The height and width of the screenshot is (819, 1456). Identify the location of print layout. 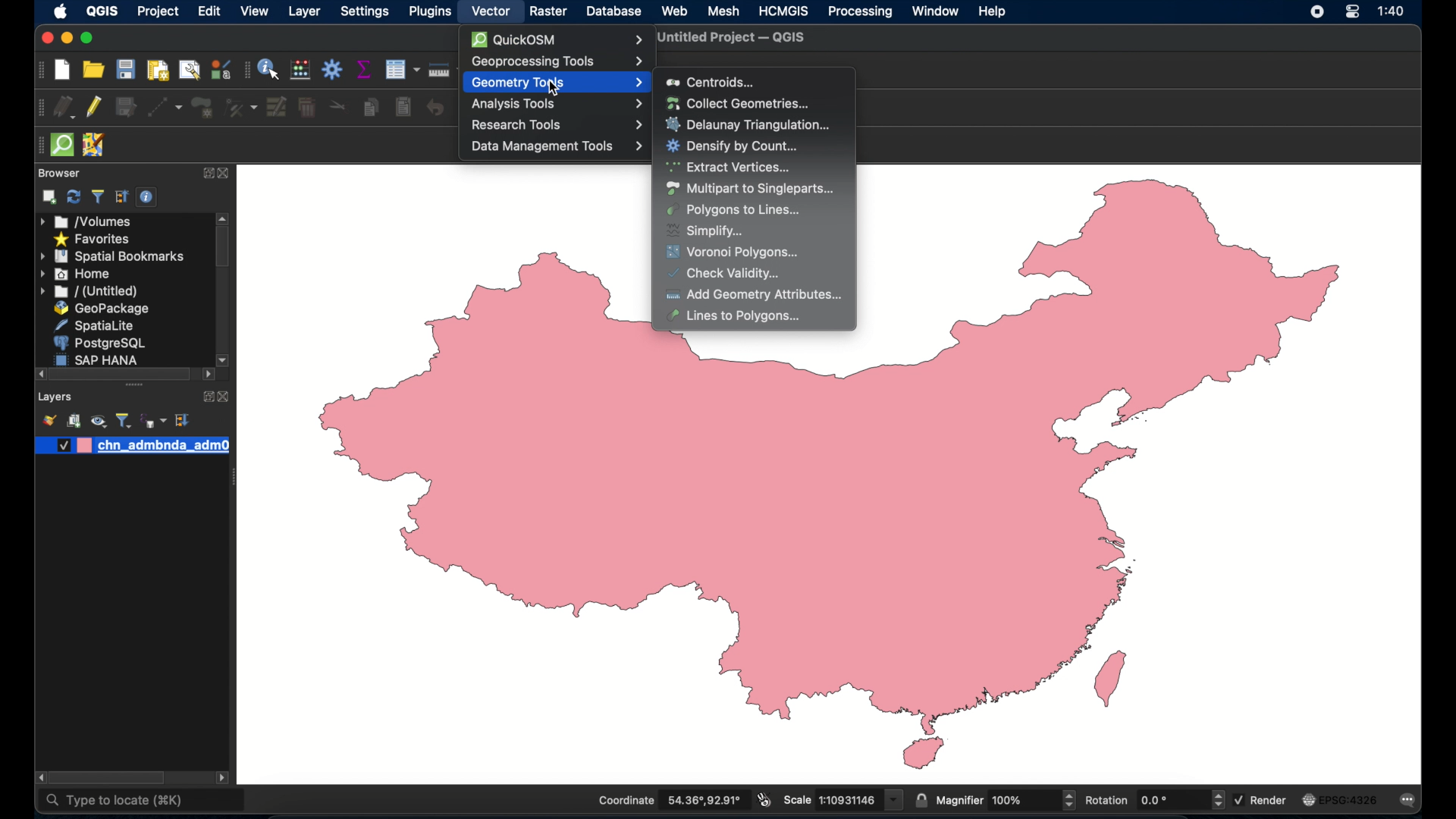
(156, 70).